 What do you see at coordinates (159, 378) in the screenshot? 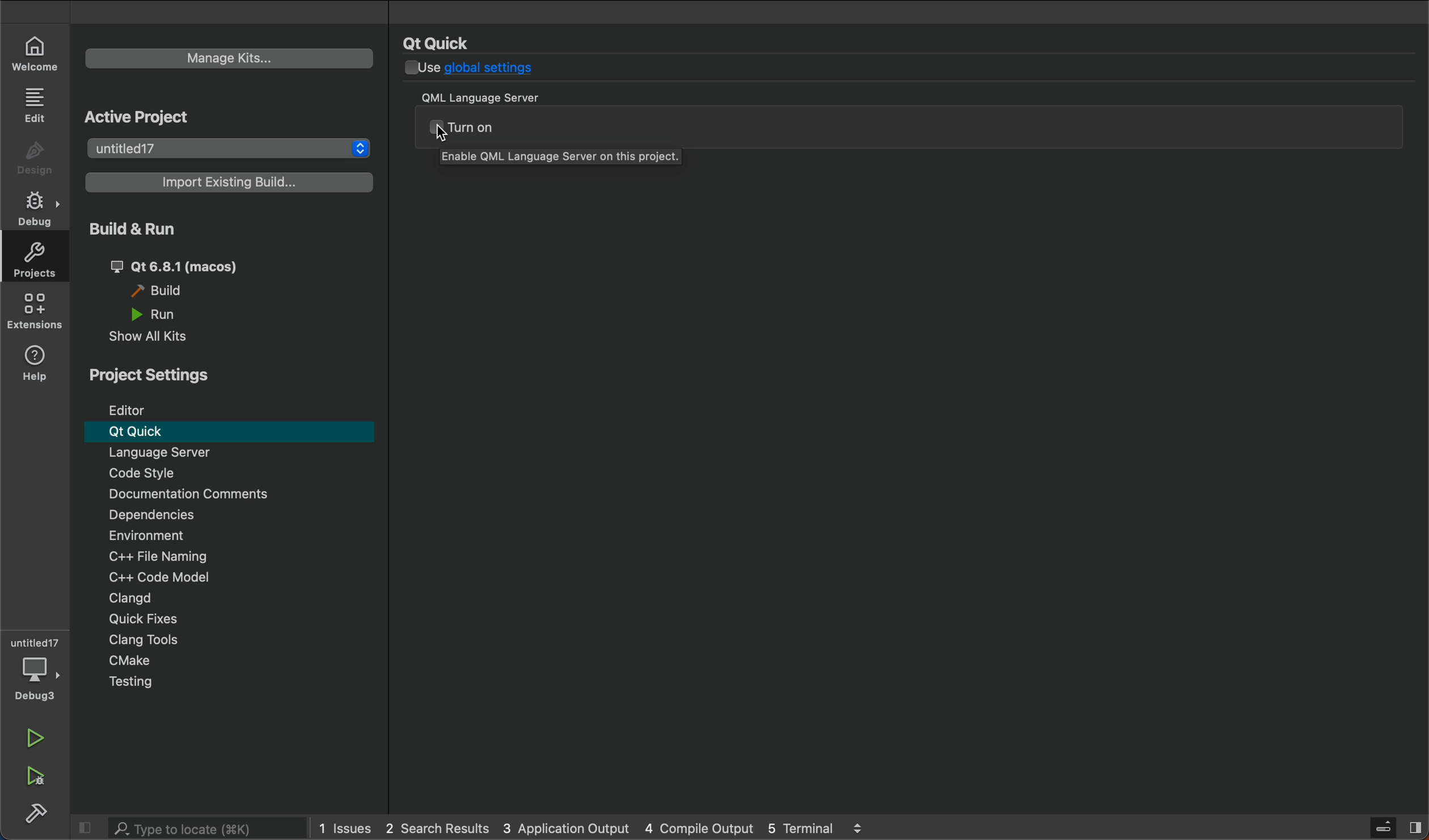
I see `projects Settings` at bounding box center [159, 378].